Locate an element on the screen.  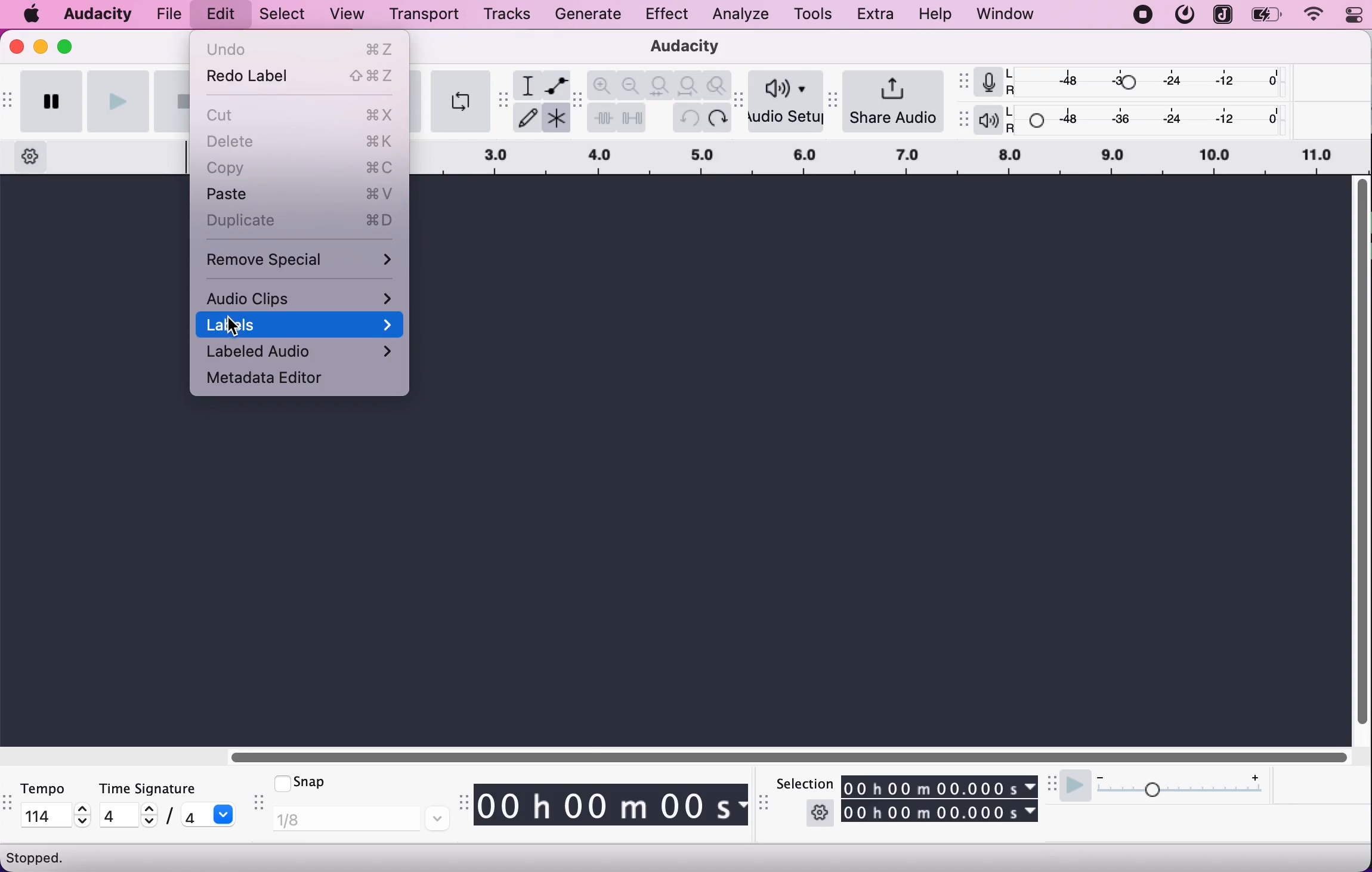
cut is located at coordinates (302, 113).